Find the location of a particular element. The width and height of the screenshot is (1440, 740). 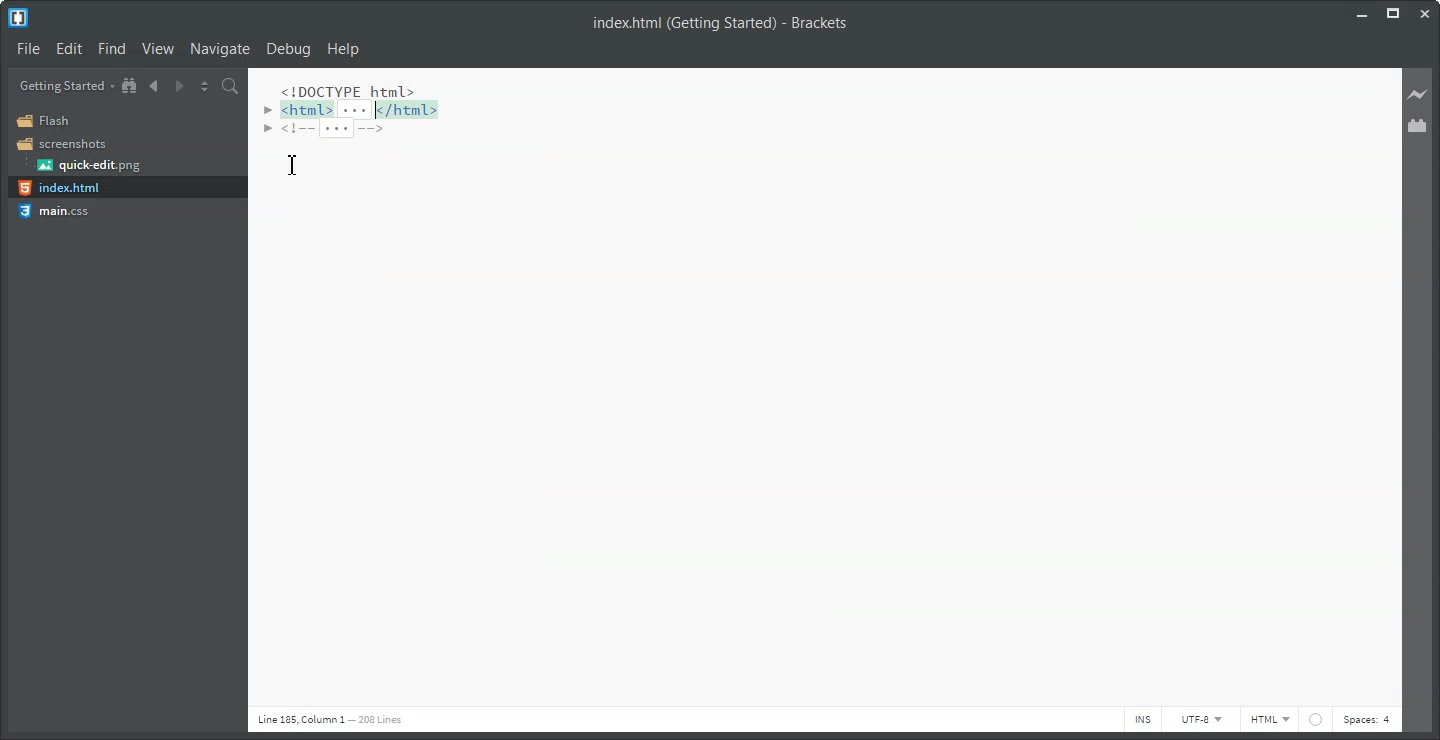

Flash is located at coordinates (50, 121).